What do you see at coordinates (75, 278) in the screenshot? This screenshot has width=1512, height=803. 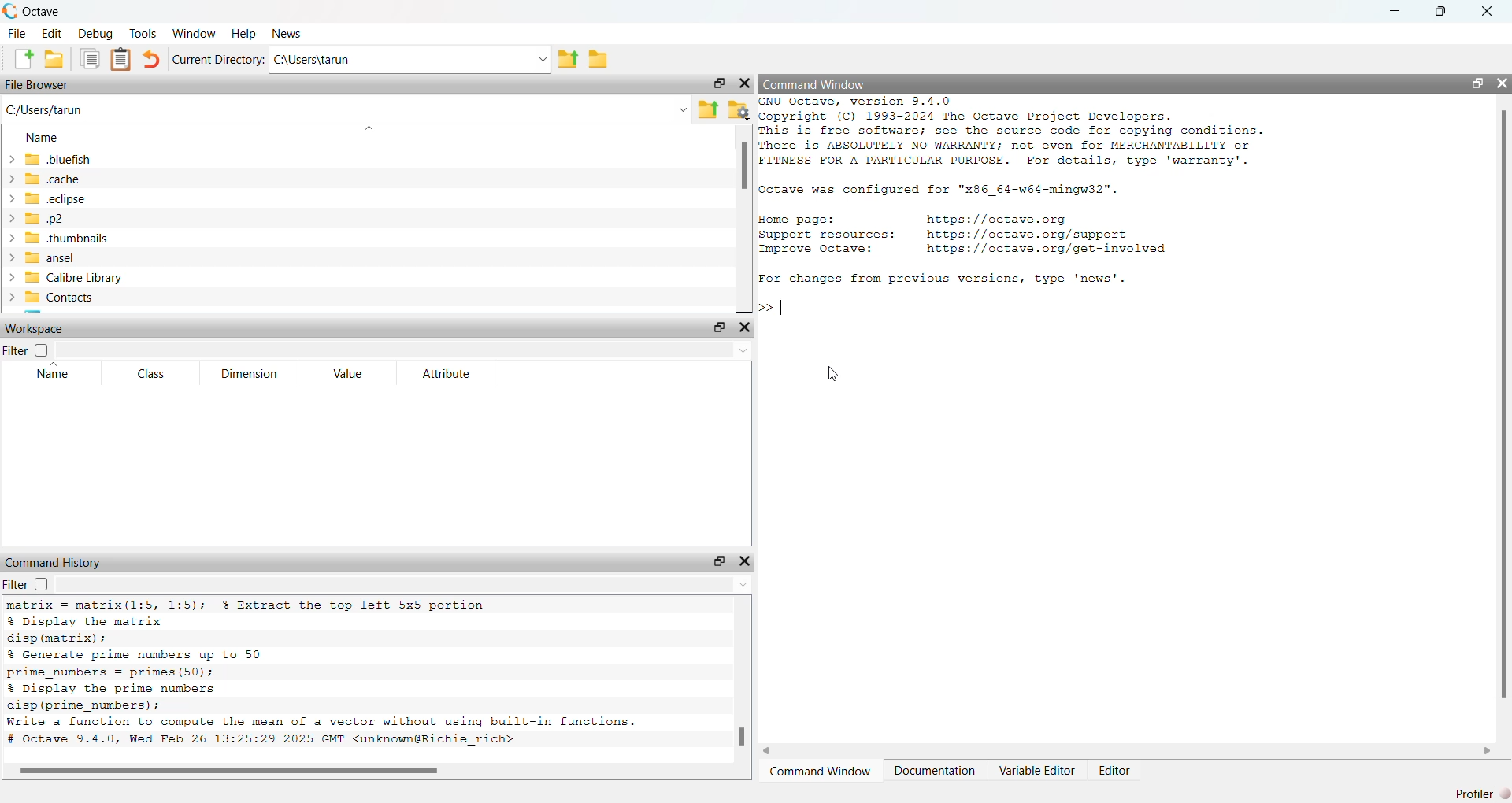 I see `calibre library` at bounding box center [75, 278].